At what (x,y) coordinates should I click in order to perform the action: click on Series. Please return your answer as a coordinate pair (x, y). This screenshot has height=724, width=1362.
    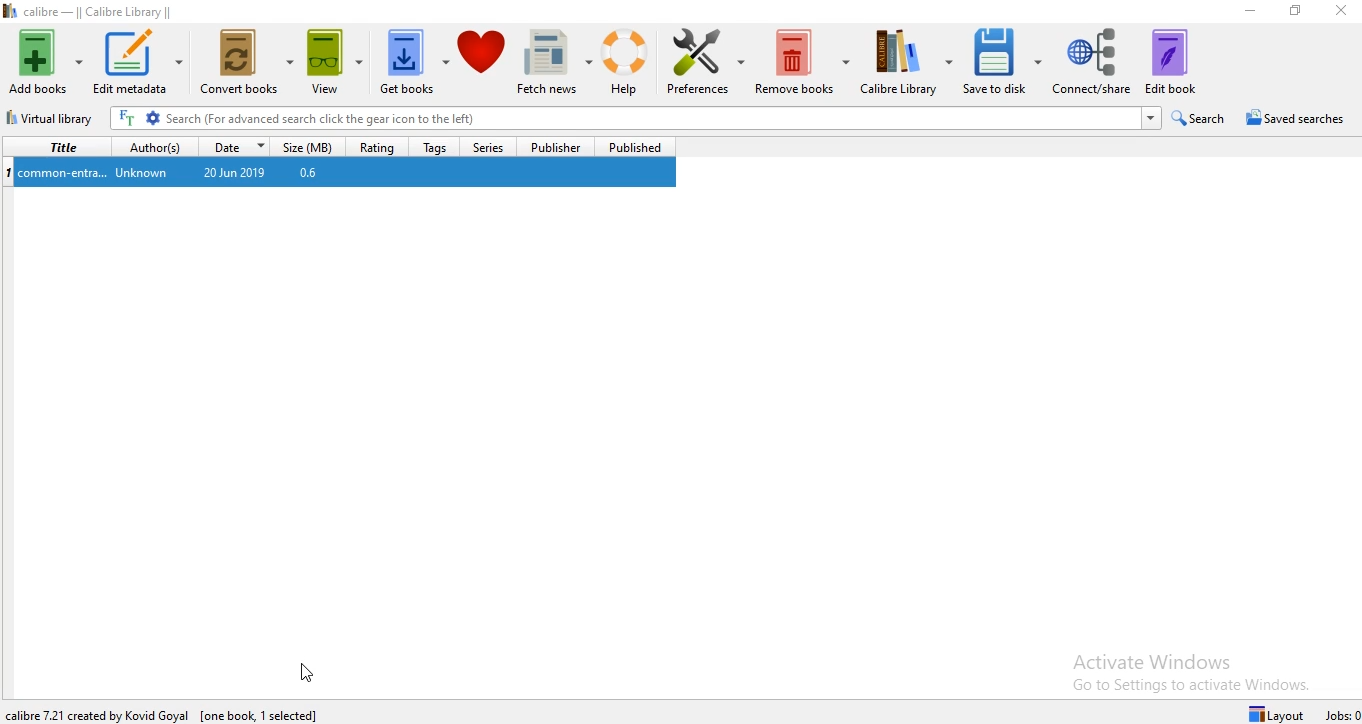
    Looking at the image, I should click on (485, 147).